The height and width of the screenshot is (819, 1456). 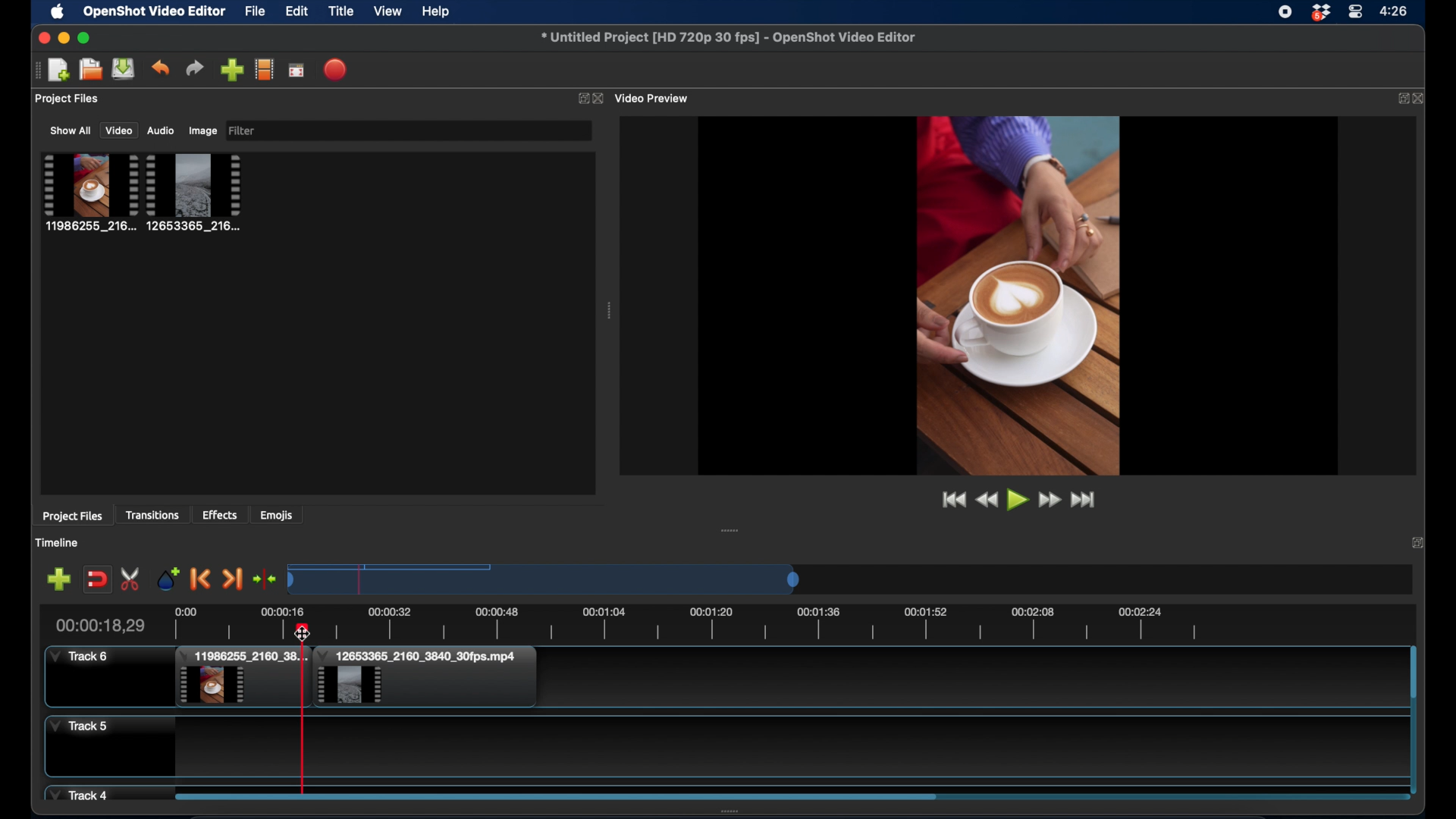 I want to click on full screen, so click(x=297, y=69).